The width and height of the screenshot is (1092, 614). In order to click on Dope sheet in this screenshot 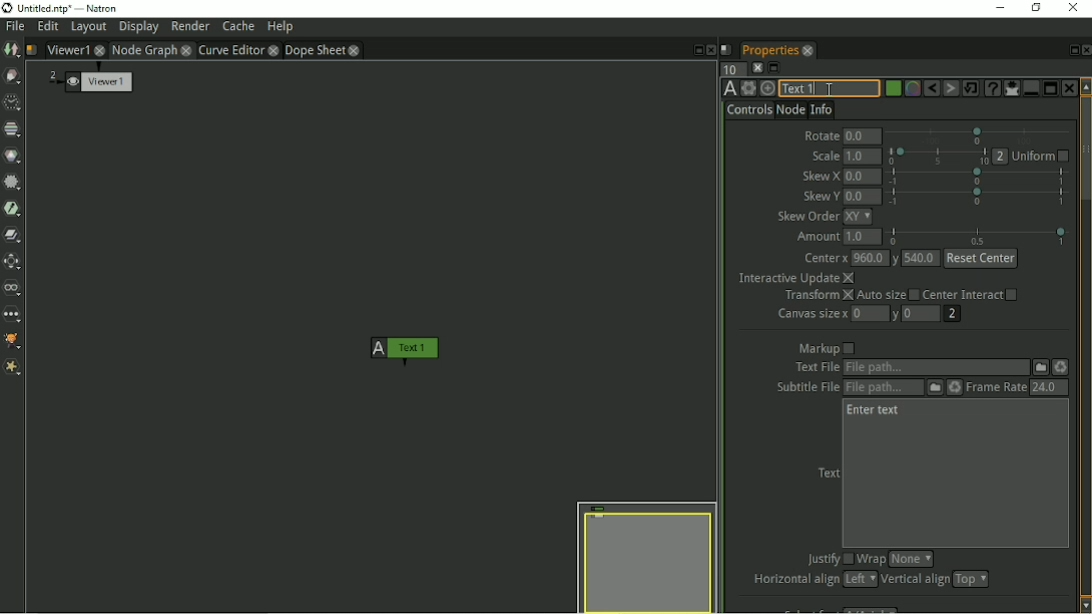, I will do `click(315, 51)`.